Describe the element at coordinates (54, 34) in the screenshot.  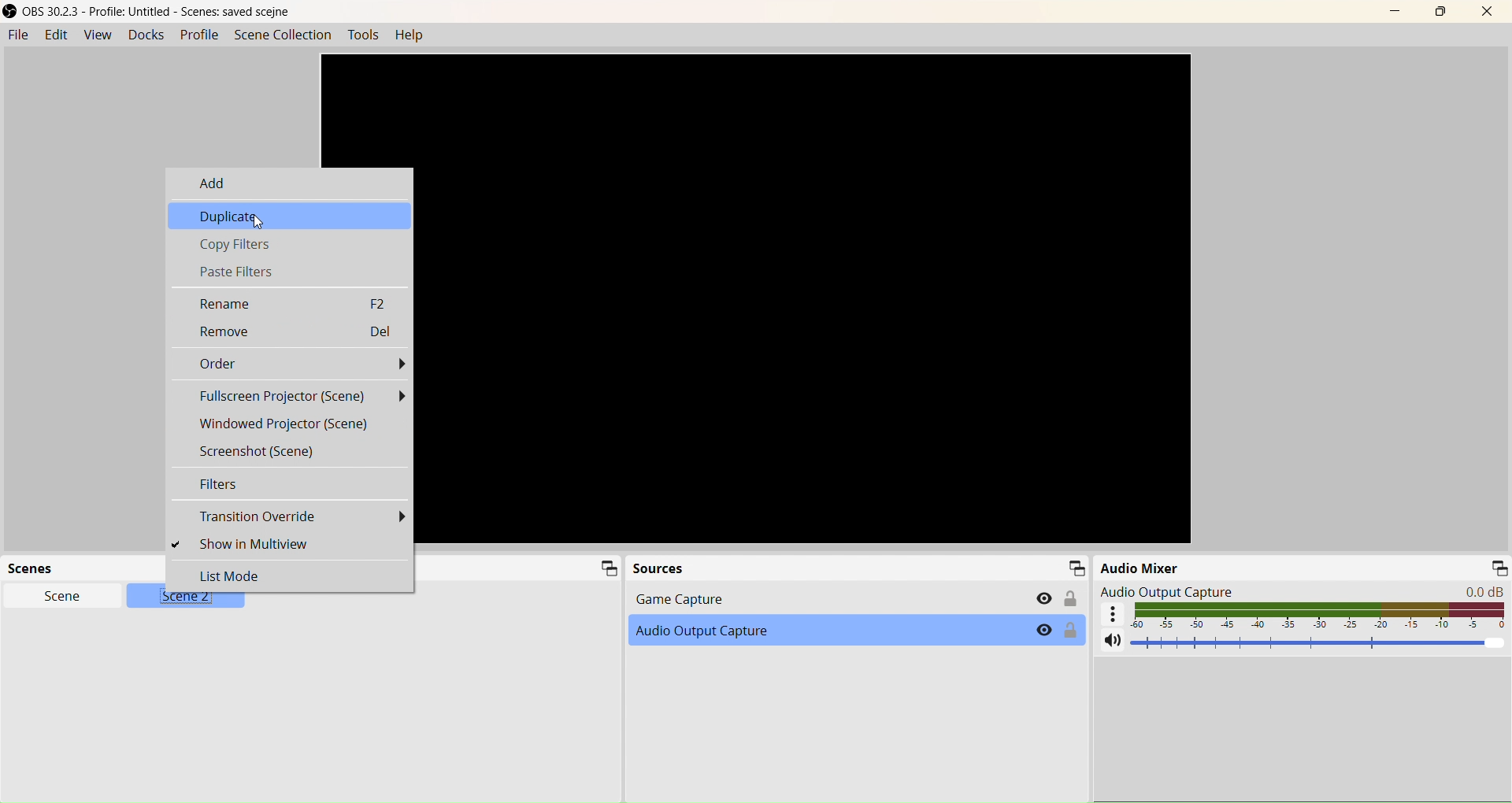
I see `Edit` at that location.